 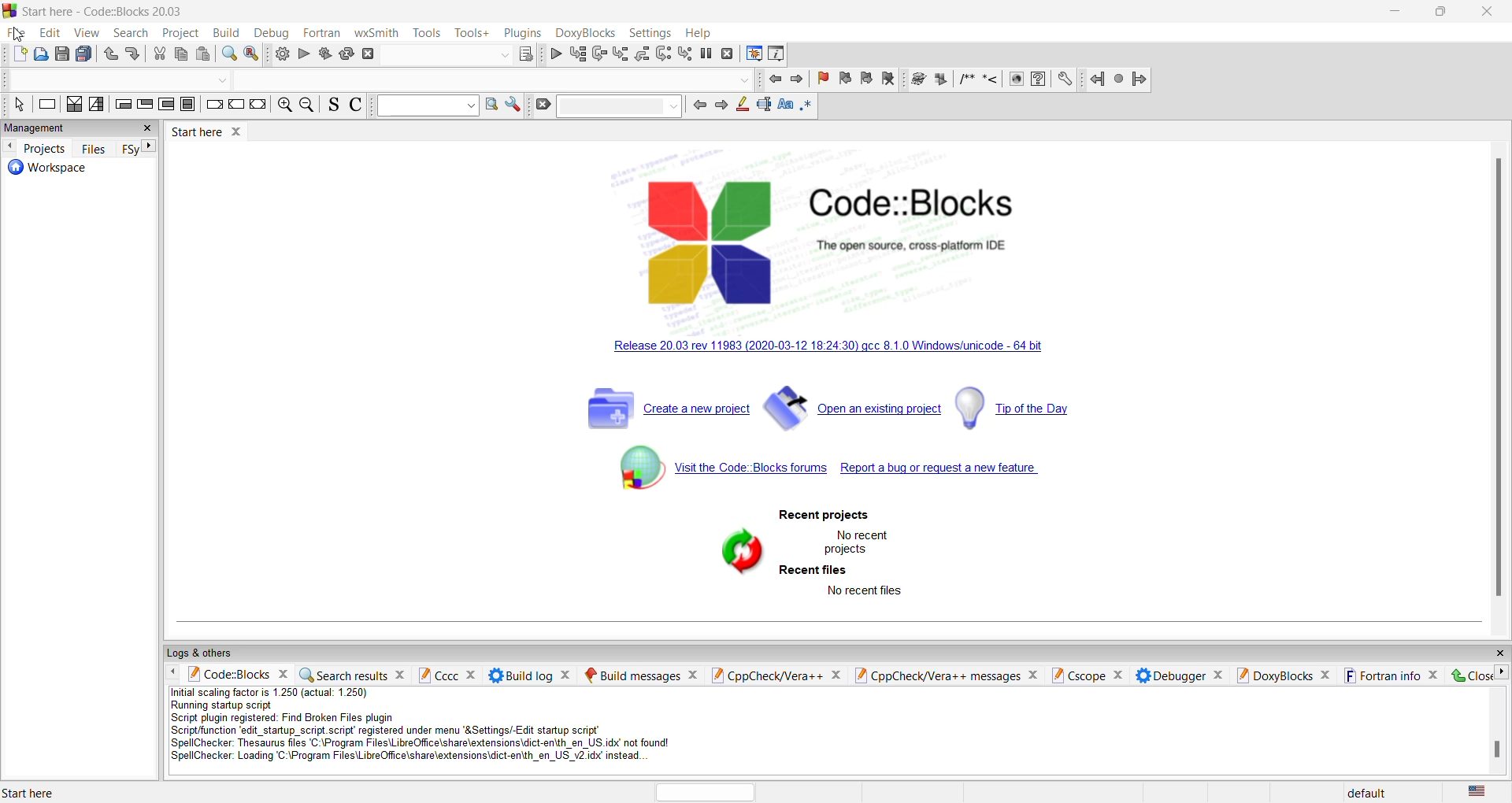 I want to click on logo, so click(x=9, y=9).